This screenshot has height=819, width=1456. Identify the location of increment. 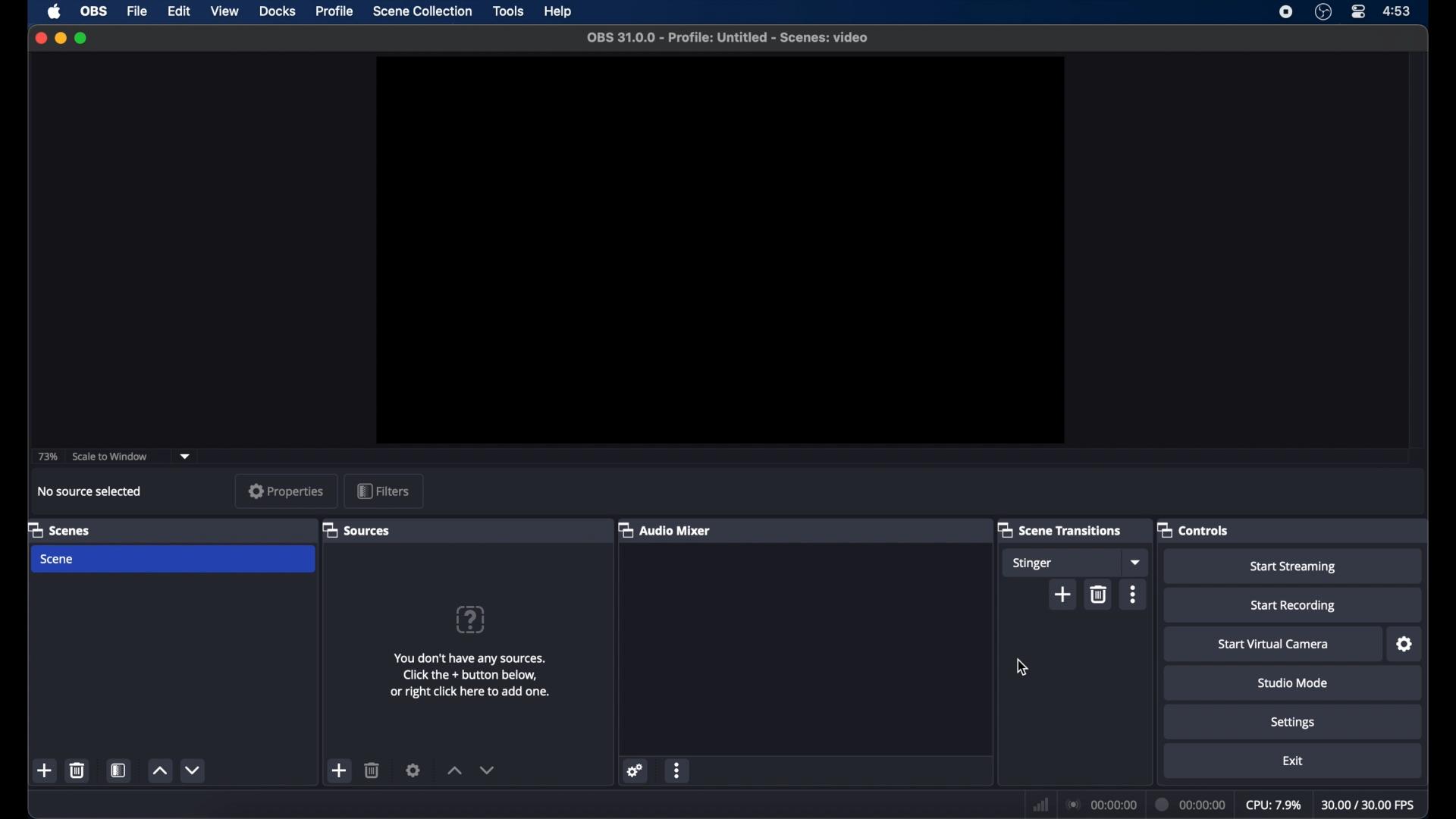
(159, 772).